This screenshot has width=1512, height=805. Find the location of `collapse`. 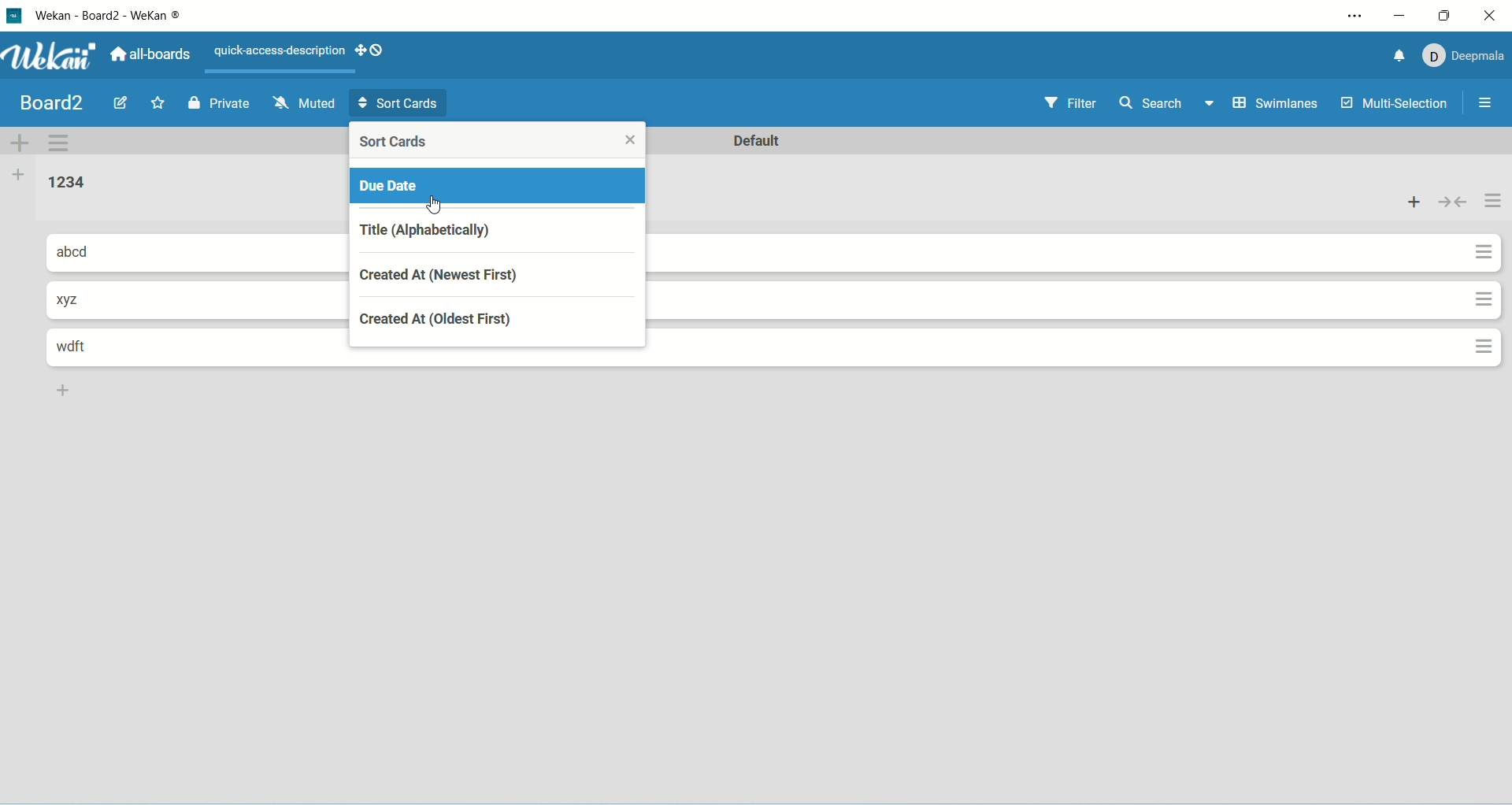

collapse is located at coordinates (1451, 205).